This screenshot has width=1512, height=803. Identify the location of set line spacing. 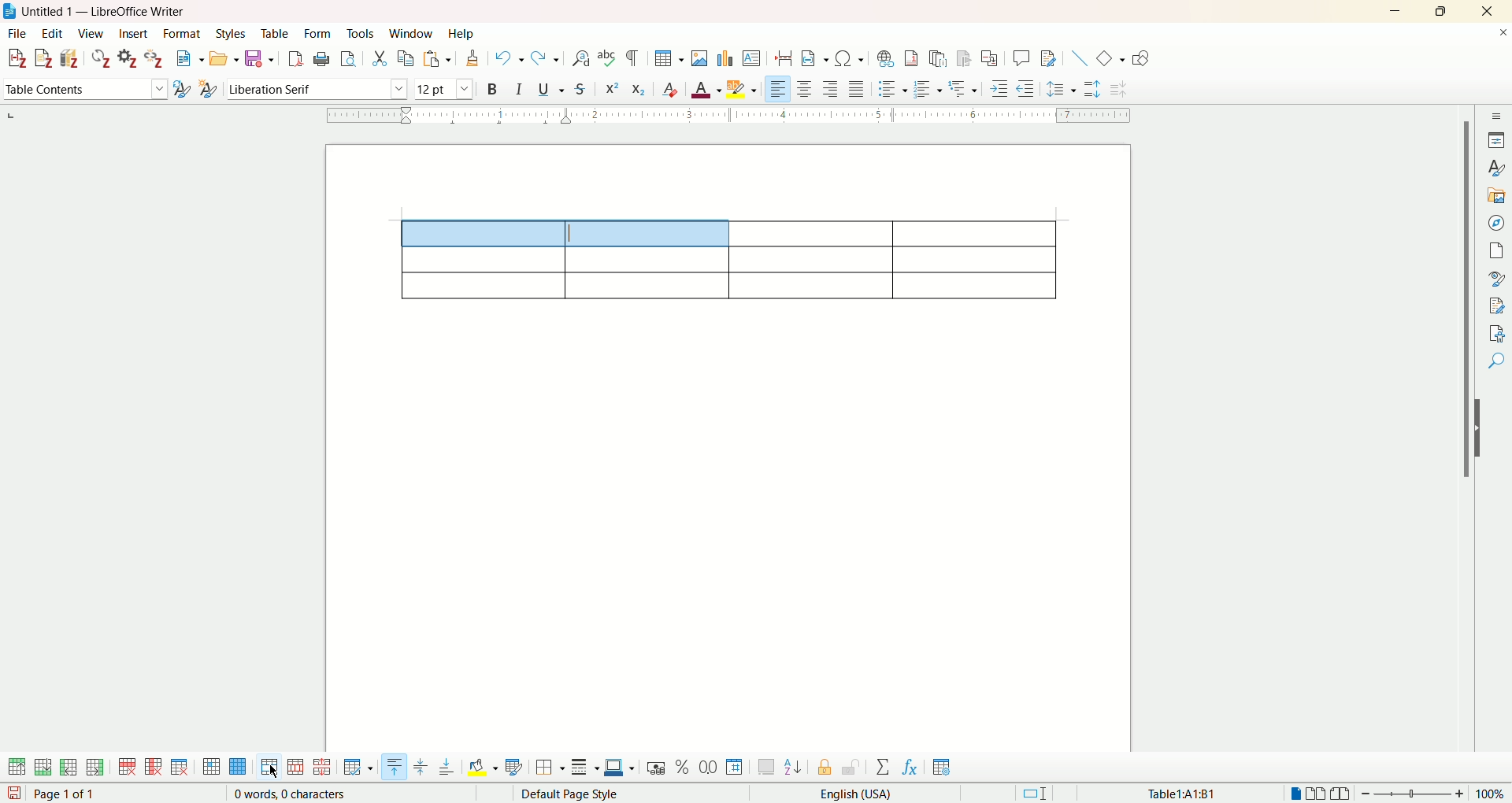
(1062, 90).